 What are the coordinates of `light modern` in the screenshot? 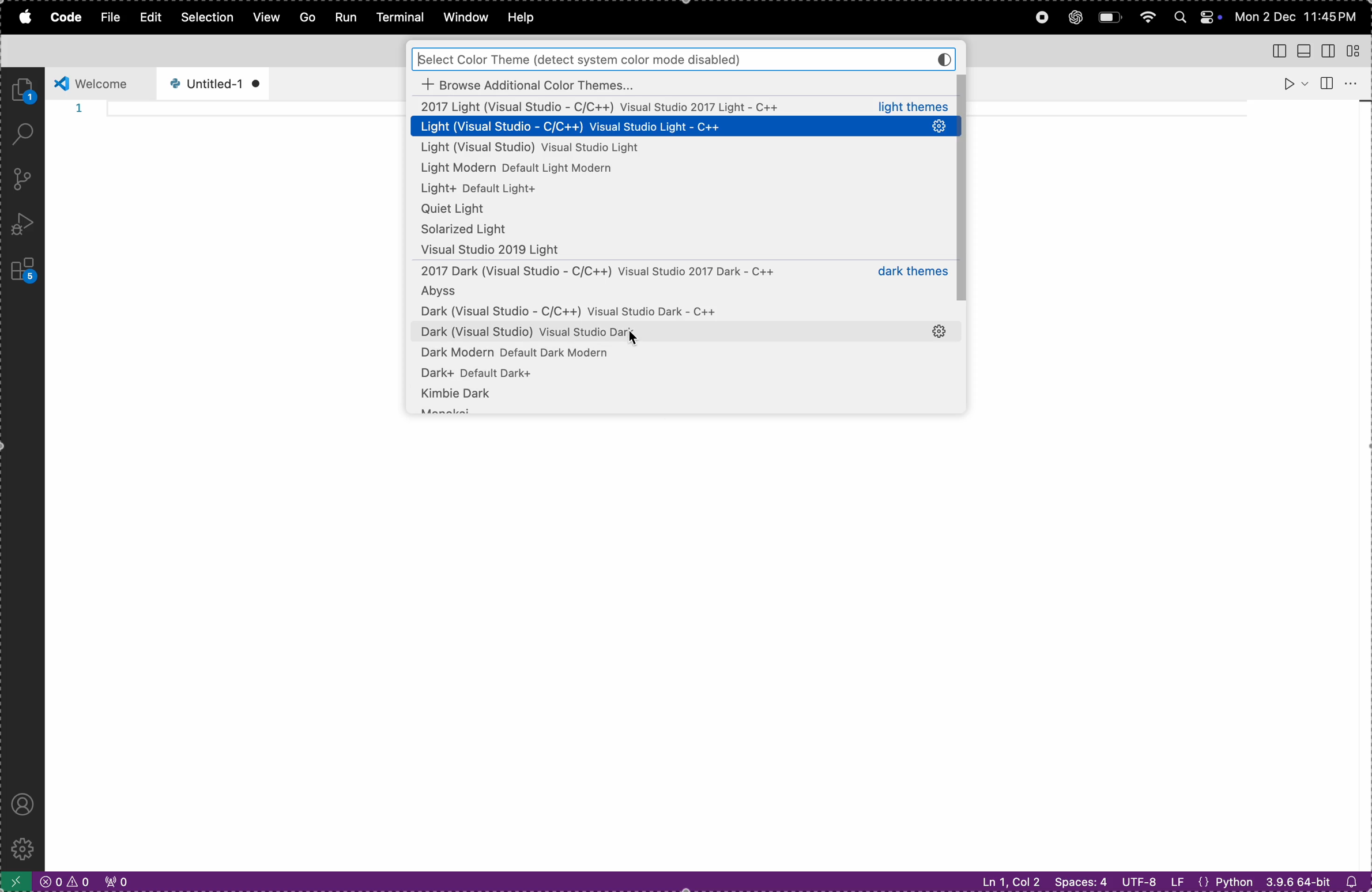 It's located at (546, 169).